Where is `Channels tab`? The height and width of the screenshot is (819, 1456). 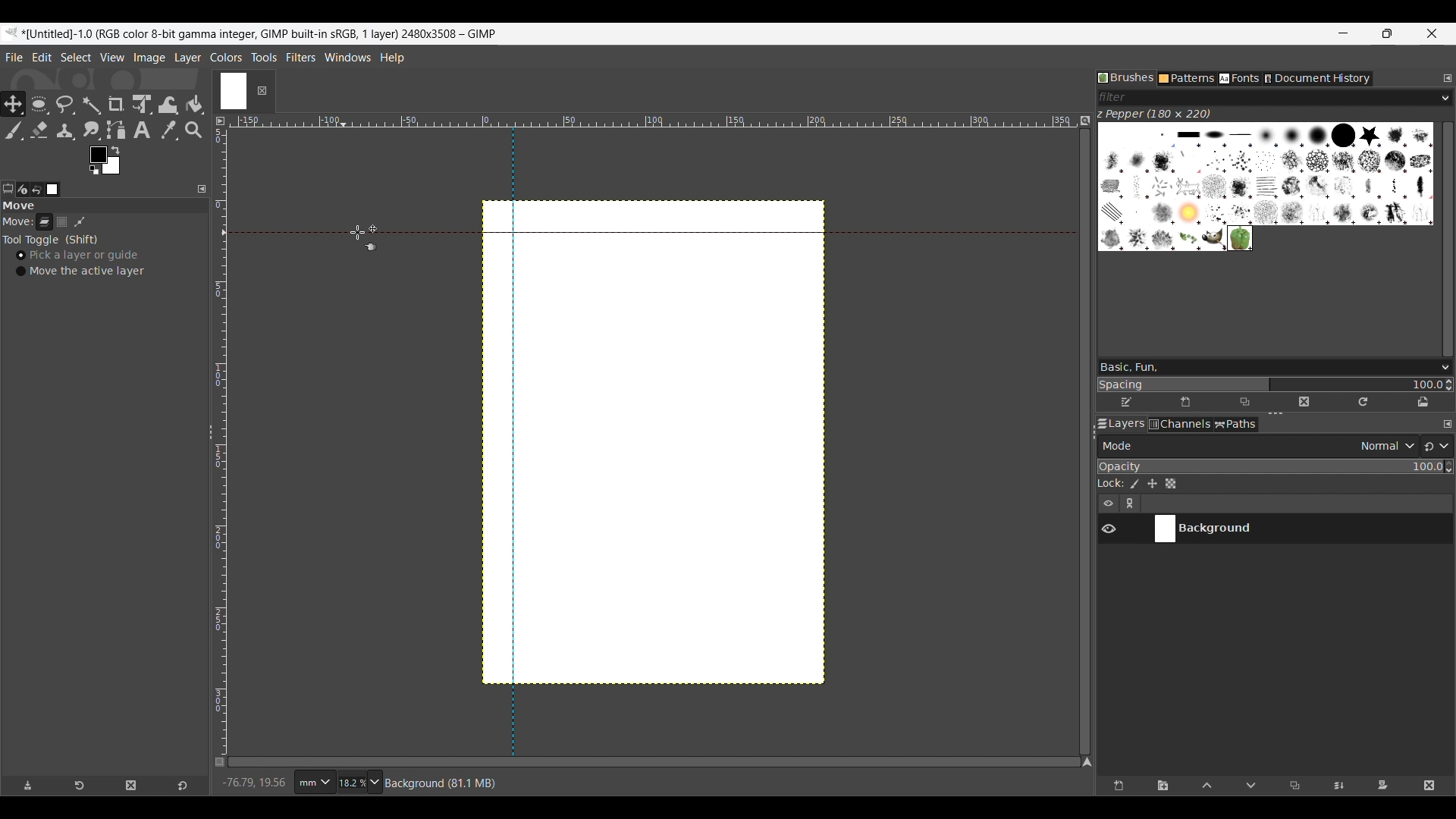 Channels tab is located at coordinates (1180, 424).